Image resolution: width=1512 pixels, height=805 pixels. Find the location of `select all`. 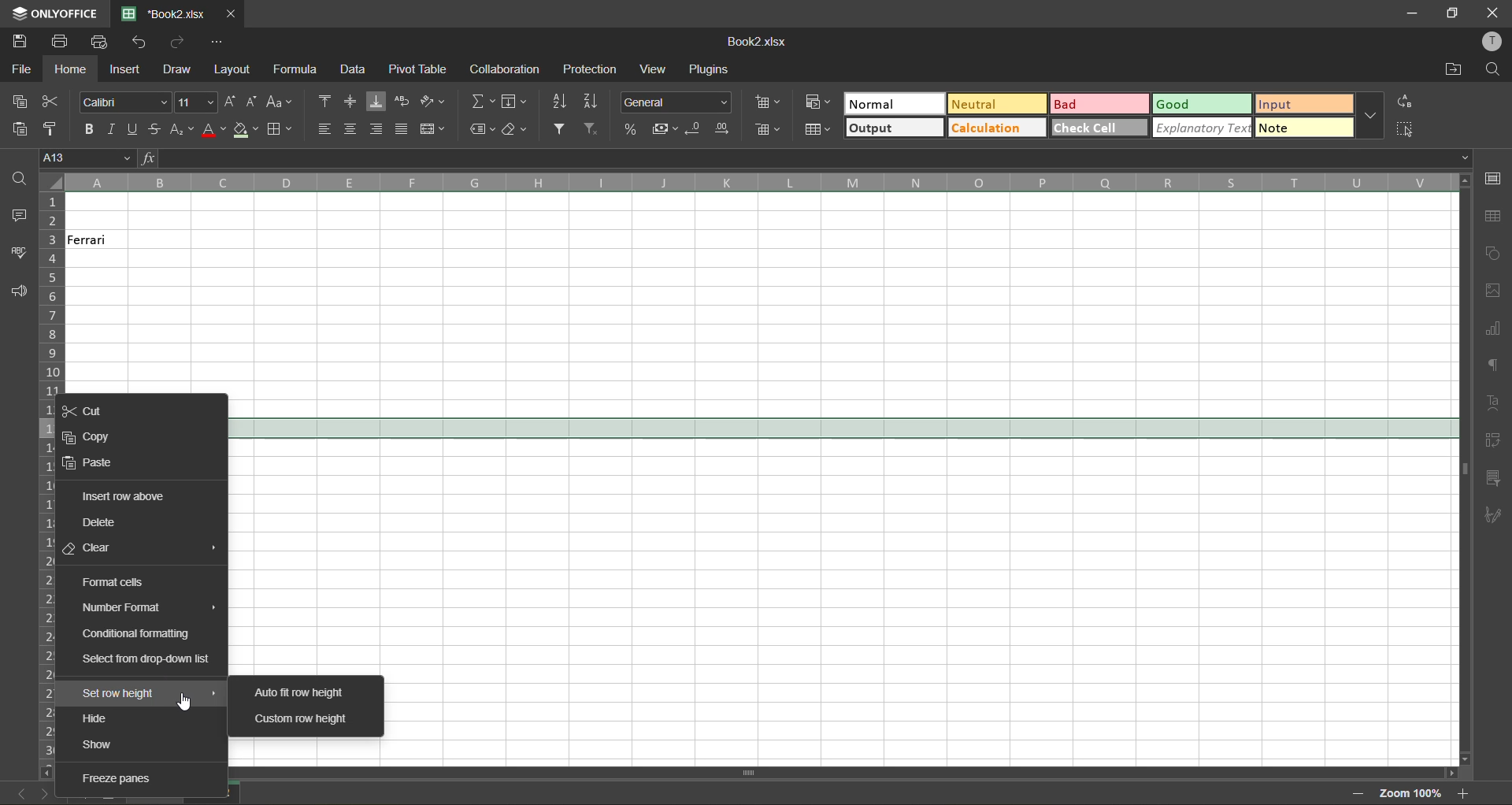

select all is located at coordinates (1403, 129).